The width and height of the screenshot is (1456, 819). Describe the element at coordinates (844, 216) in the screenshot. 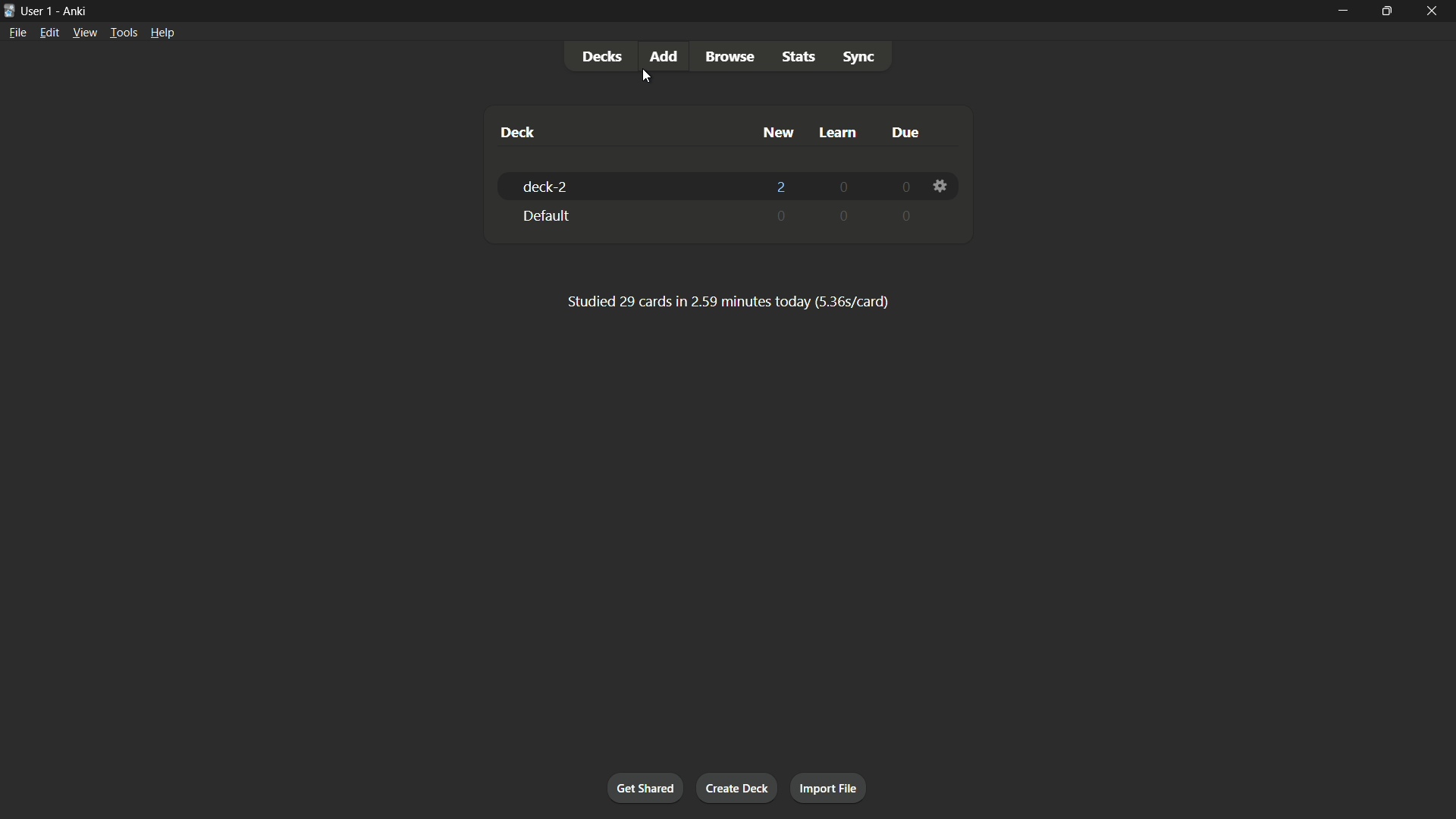

I see `0` at that location.